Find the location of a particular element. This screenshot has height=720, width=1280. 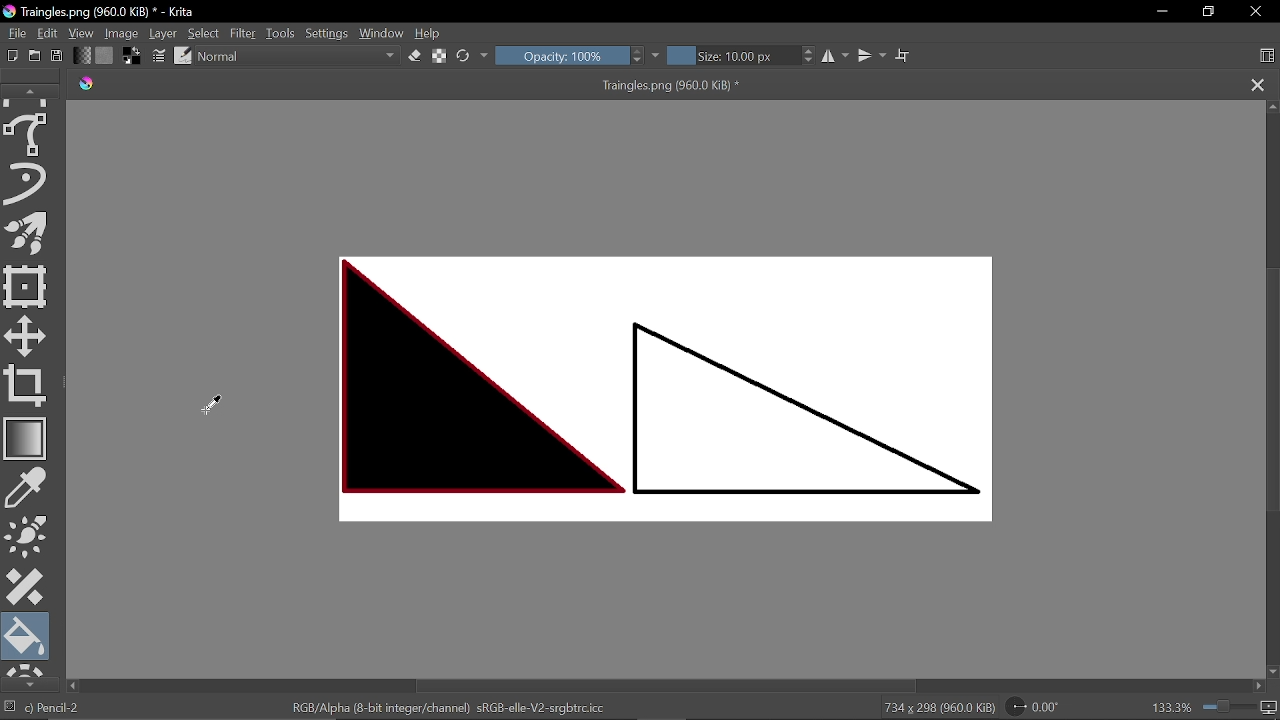

Edit is located at coordinates (47, 35).